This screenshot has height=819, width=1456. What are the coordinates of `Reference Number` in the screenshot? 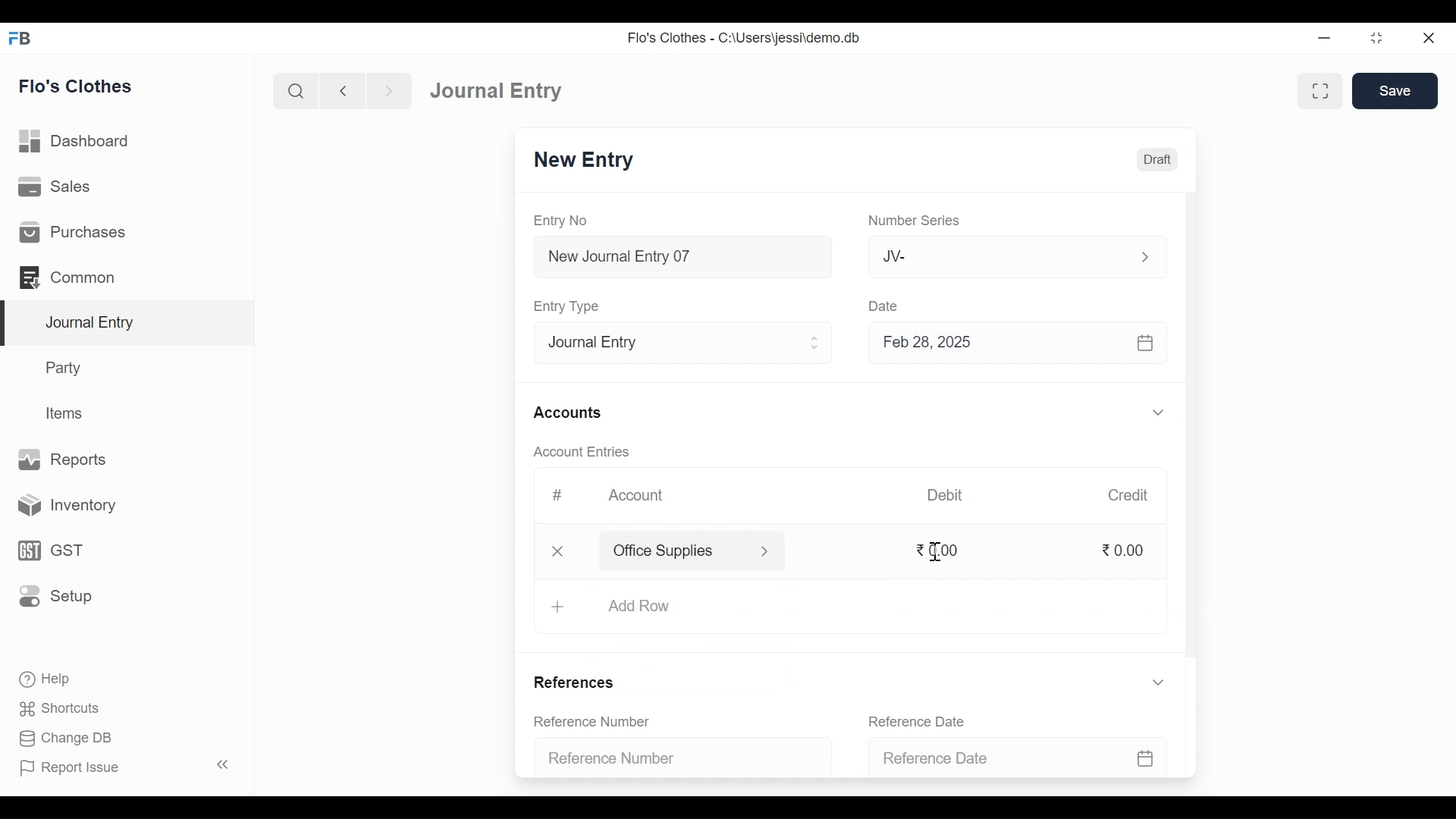 It's located at (593, 720).